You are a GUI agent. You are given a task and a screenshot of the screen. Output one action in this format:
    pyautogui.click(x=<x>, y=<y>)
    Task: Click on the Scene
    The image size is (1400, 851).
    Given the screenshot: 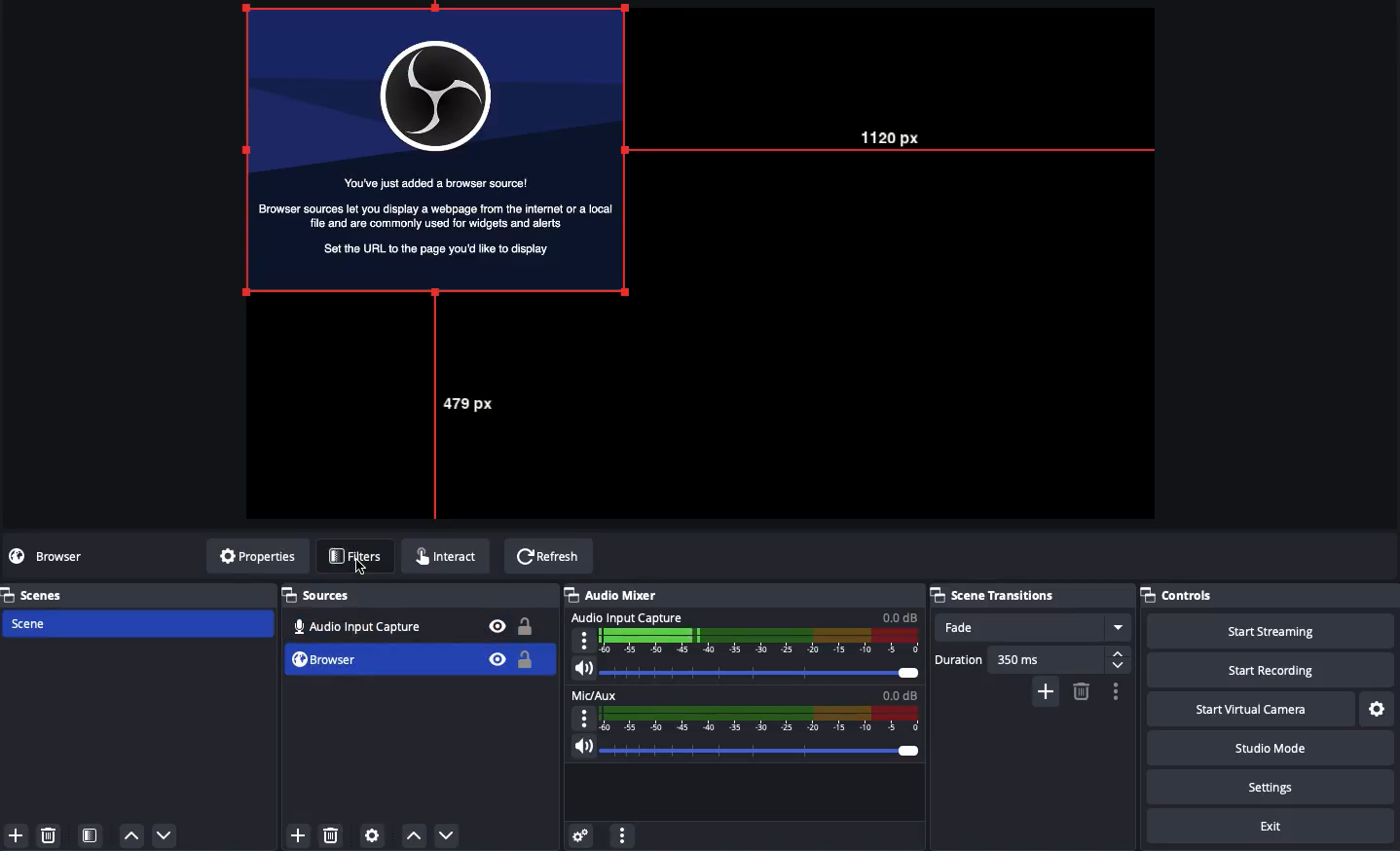 What is the action you would take?
    pyautogui.click(x=40, y=622)
    